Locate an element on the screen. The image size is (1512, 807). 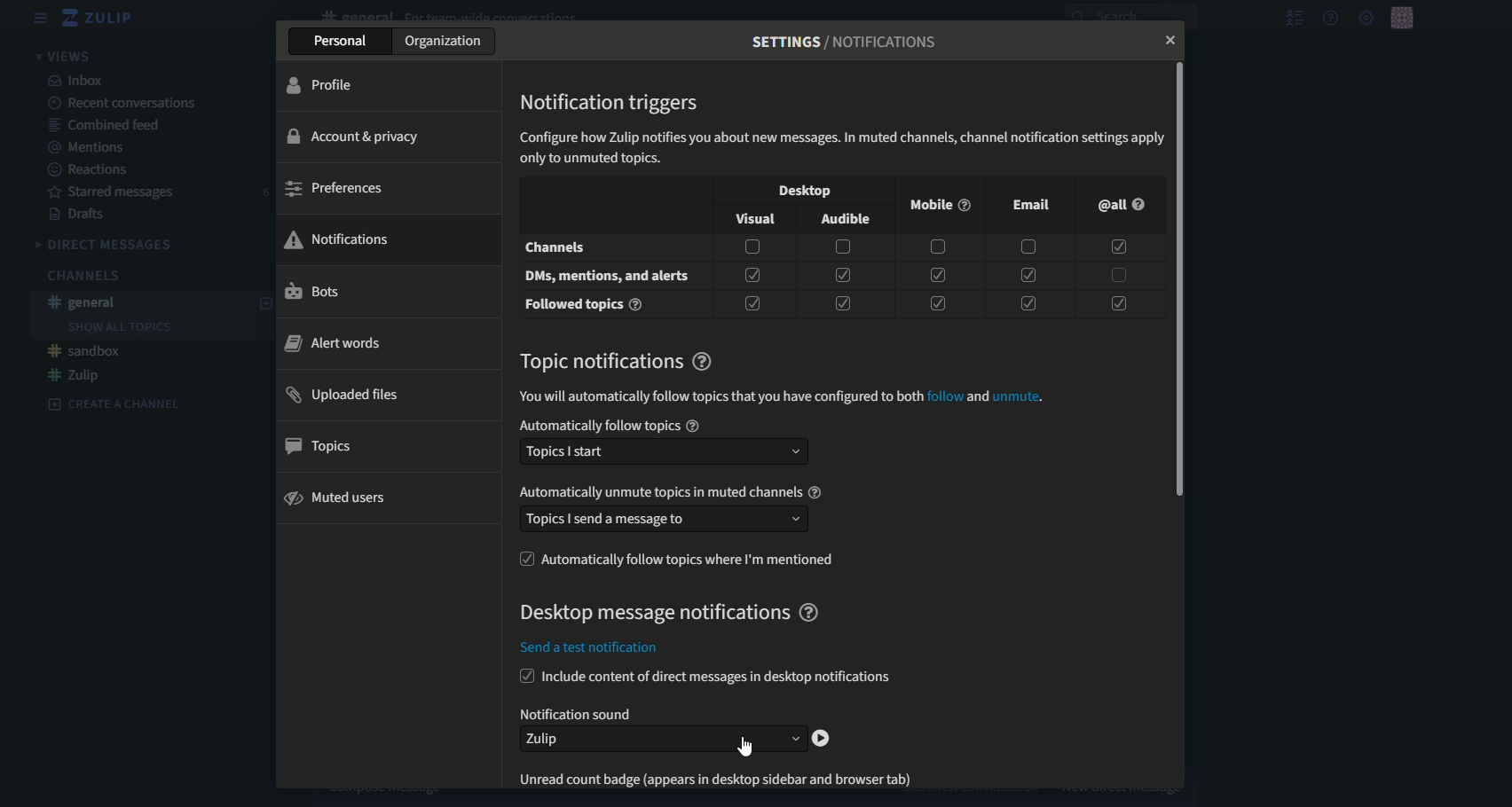
checkbox is located at coordinates (1026, 274).